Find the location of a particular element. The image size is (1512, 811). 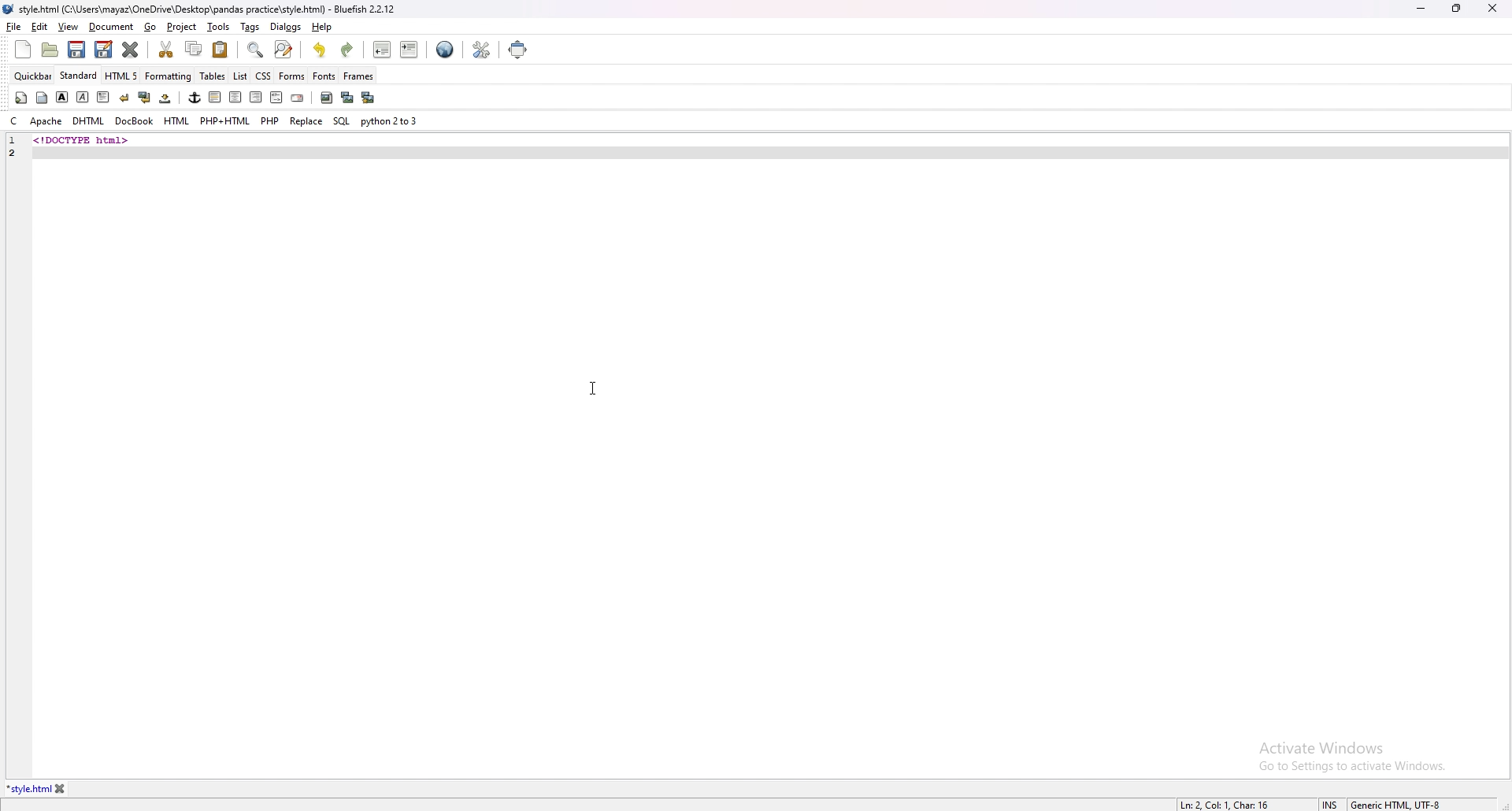

fonts is located at coordinates (324, 76).